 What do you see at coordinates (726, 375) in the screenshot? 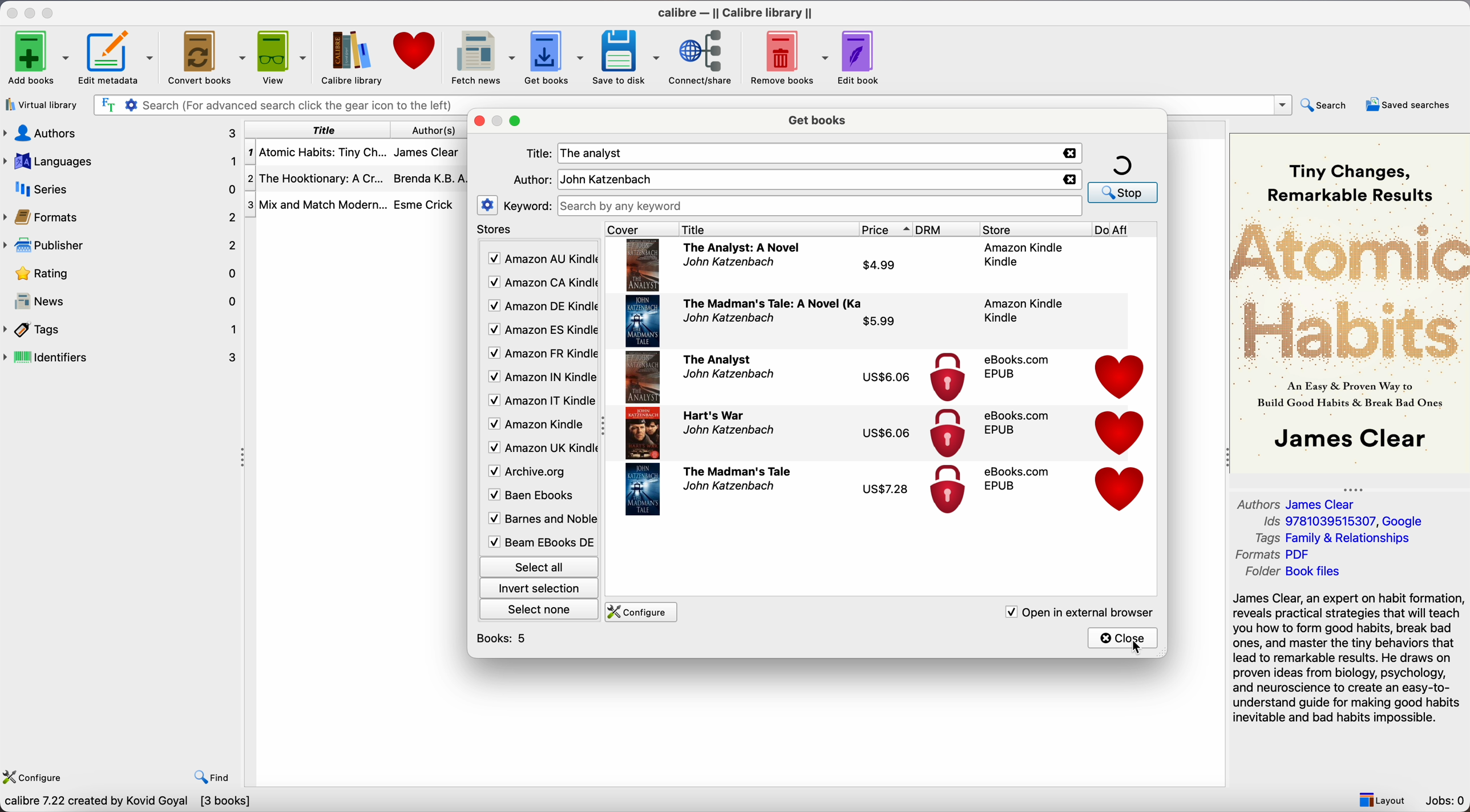
I see `John Katzenbach` at bounding box center [726, 375].